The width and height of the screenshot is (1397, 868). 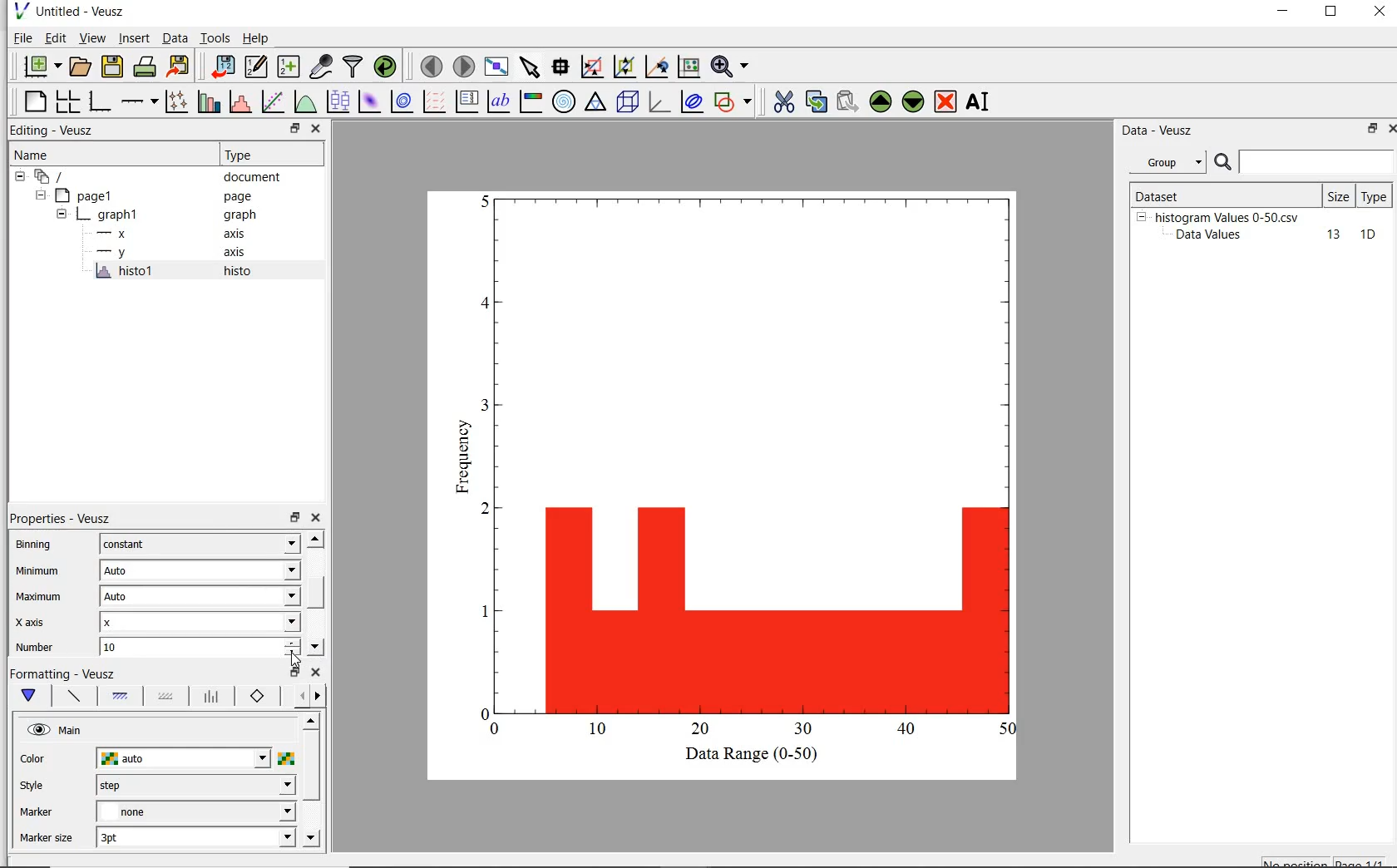 I want to click on plot points with line and error bars, so click(x=177, y=101).